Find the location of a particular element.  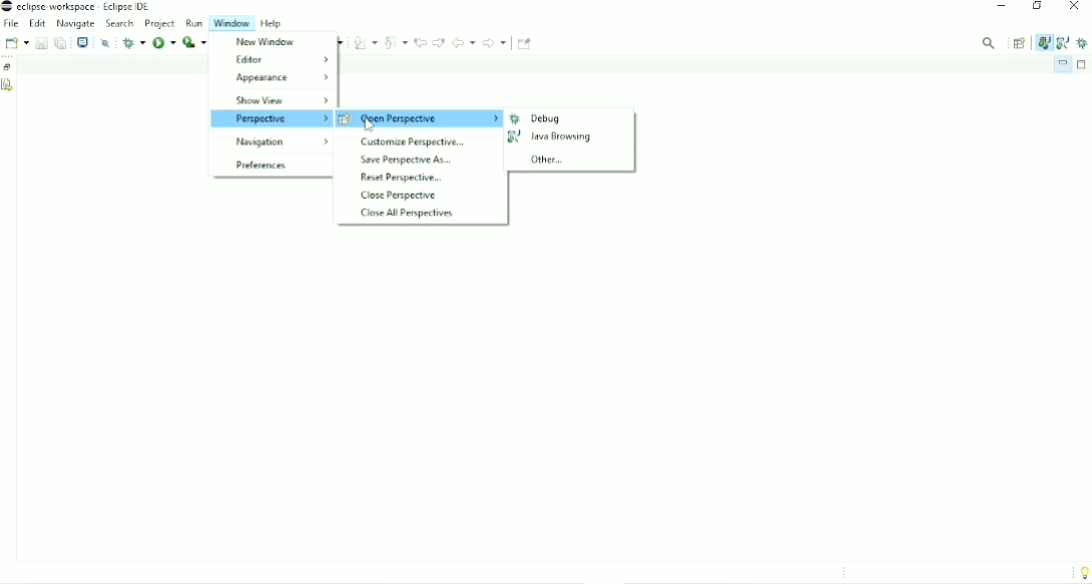

Window is located at coordinates (234, 23).